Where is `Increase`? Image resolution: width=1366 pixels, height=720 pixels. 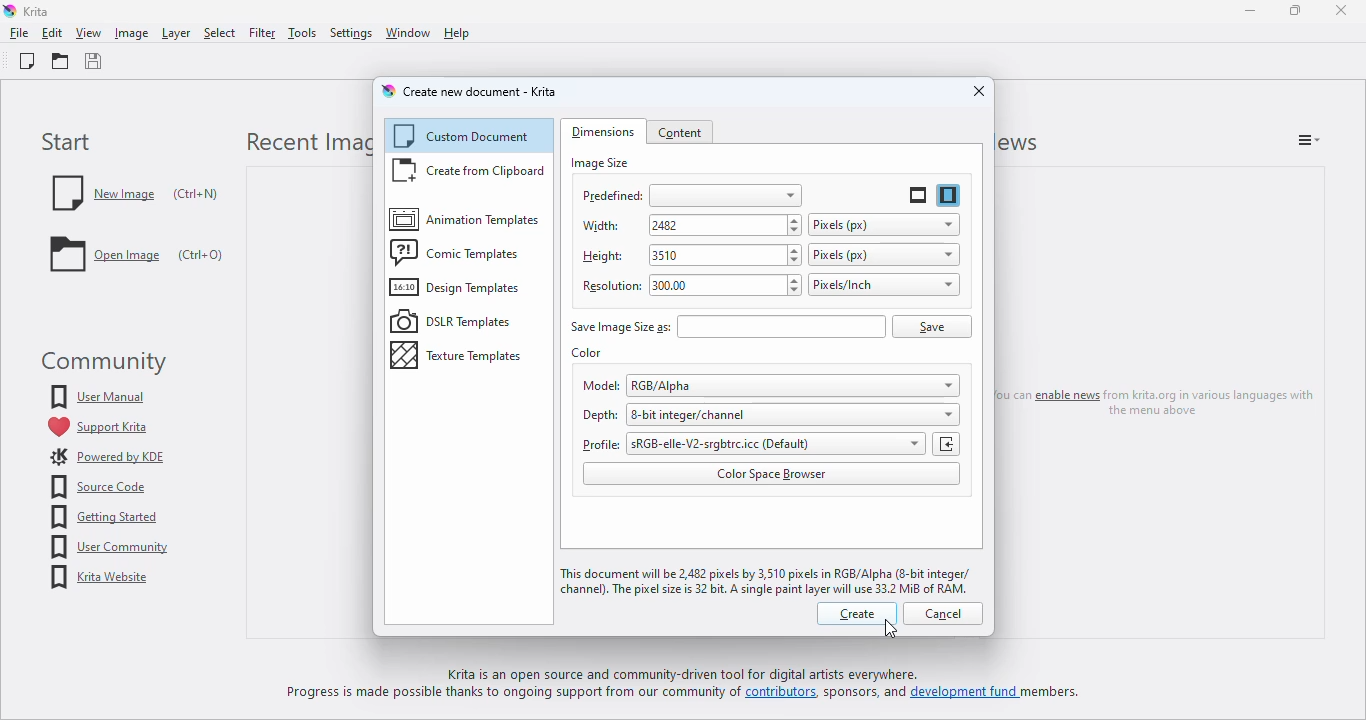
Increase is located at coordinates (797, 218).